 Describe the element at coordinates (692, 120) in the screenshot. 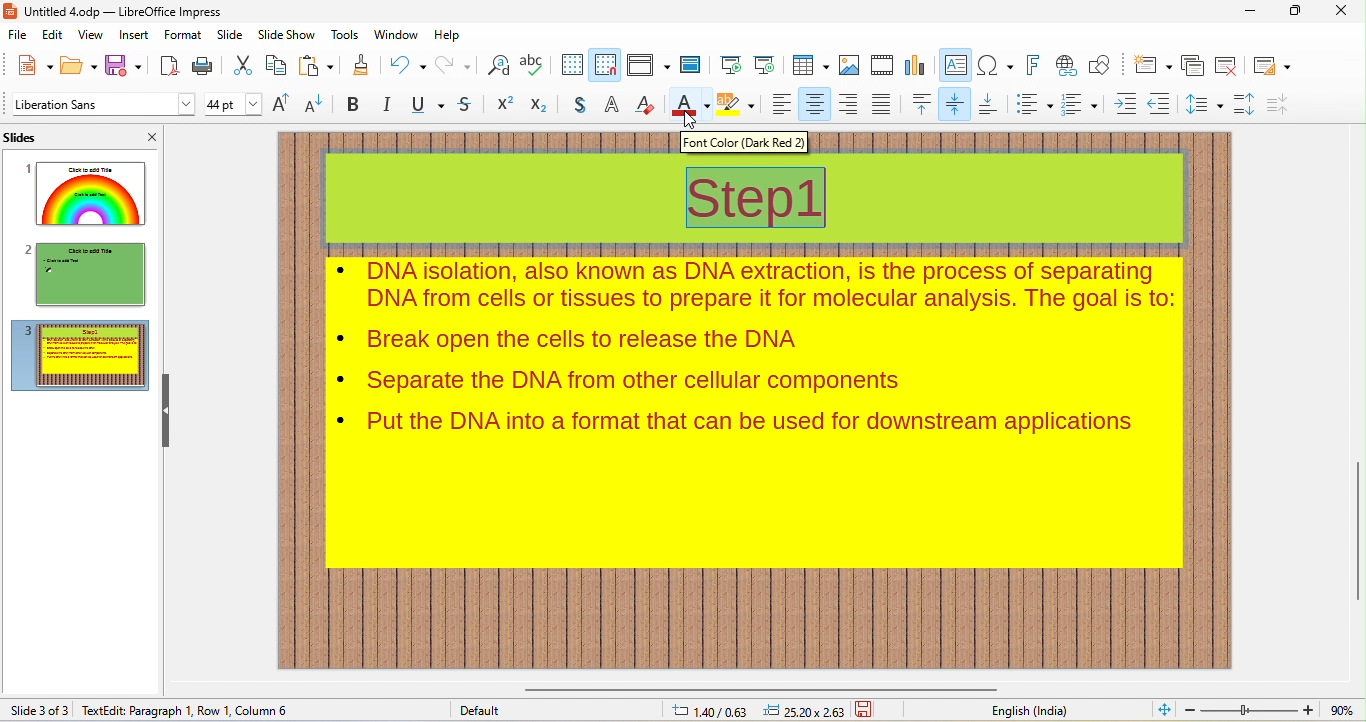

I see `cursor` at that location.